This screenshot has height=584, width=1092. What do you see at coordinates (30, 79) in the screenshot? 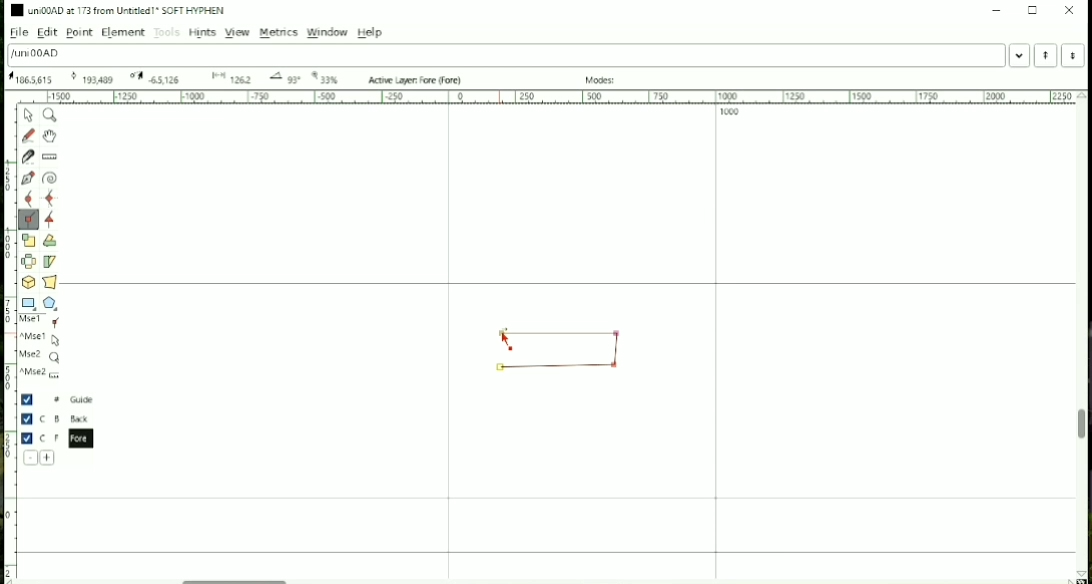
I see `173 Oxad U+00AD "uni00AD" SOFT HYPHEN` at bounding box center [30, 79].